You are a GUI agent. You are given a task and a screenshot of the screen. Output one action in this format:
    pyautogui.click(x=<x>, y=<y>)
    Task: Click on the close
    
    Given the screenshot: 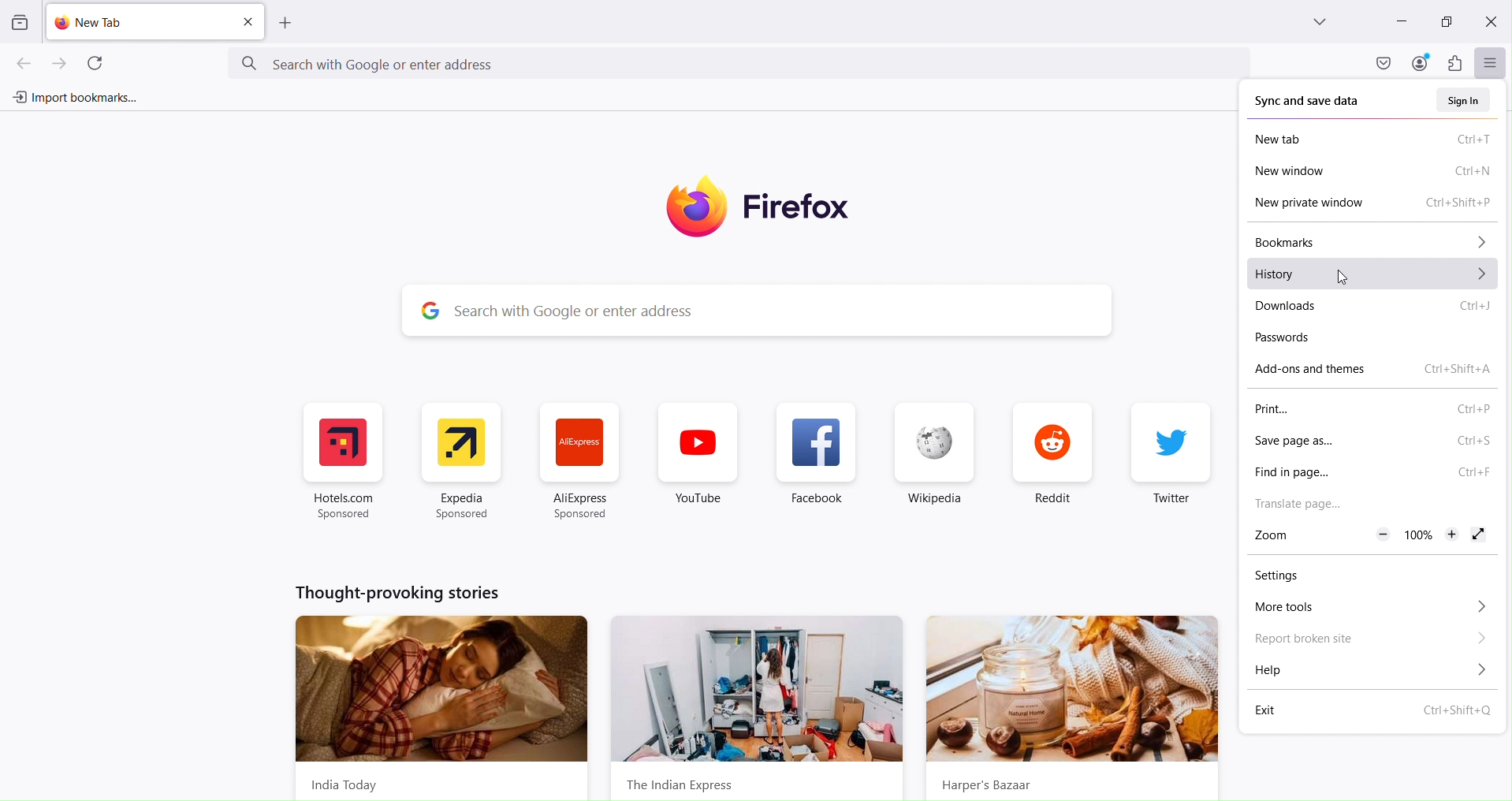 What is the action you would take?
    pyautogui.click(x=248, y=23)
    